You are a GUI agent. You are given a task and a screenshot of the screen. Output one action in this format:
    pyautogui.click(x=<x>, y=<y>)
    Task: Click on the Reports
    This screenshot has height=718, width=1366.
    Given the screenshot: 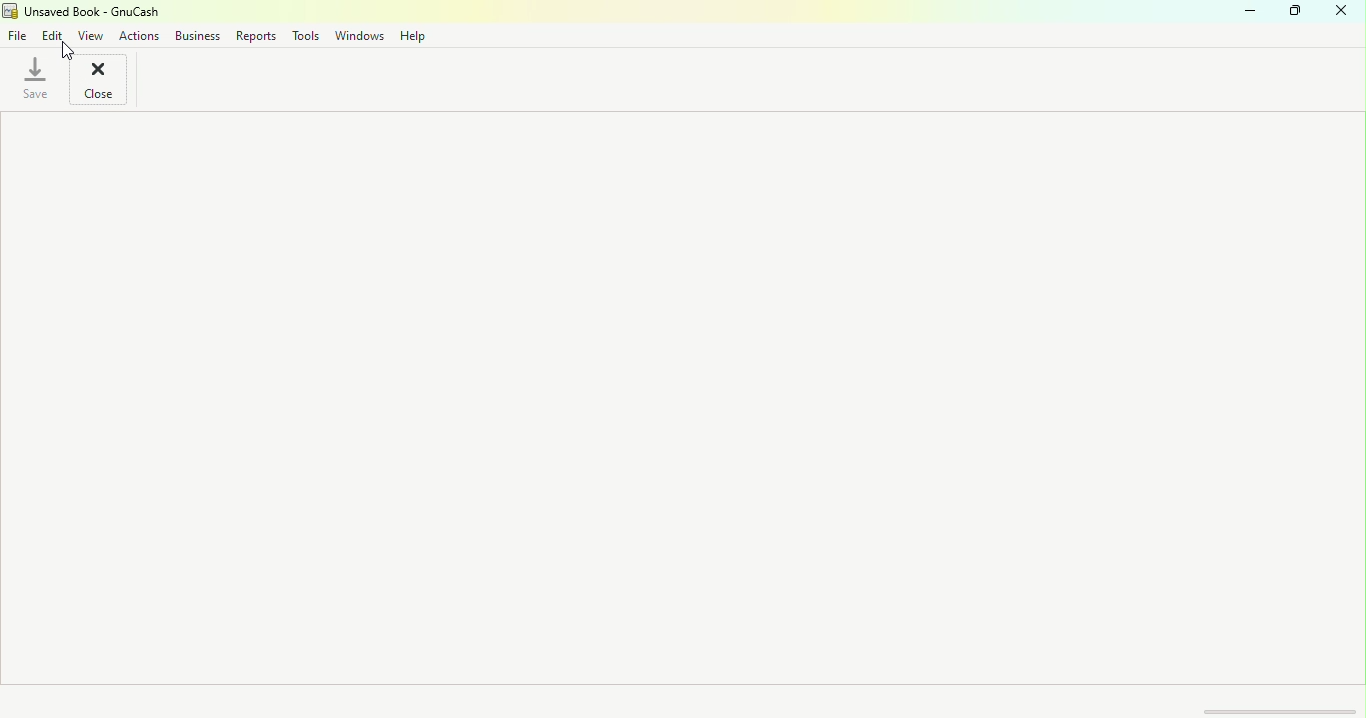 What is the action you would take?
    pyautogui.click(x=254, y=34)
    